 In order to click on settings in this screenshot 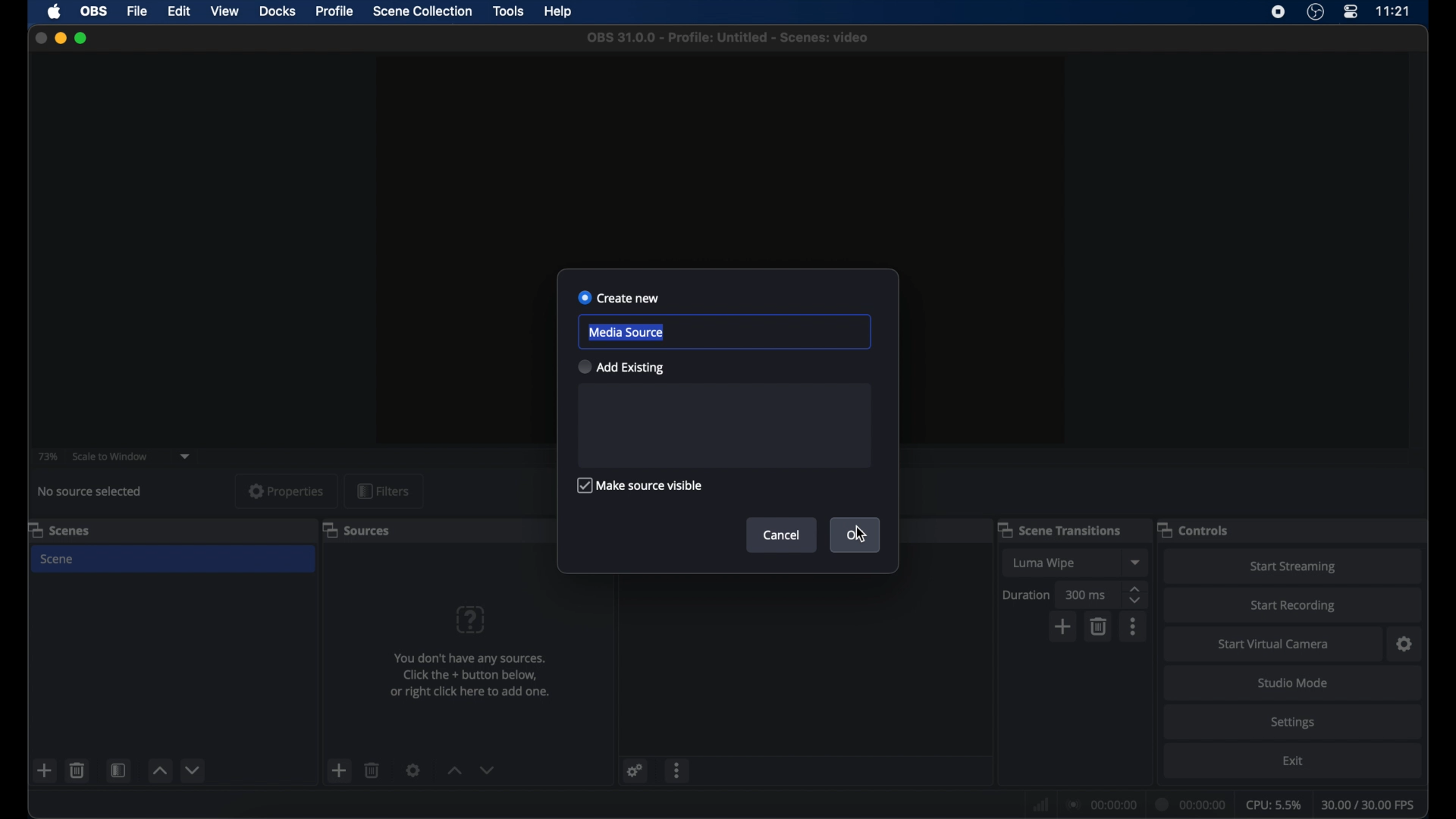, I will do `click(1294, 723)`.